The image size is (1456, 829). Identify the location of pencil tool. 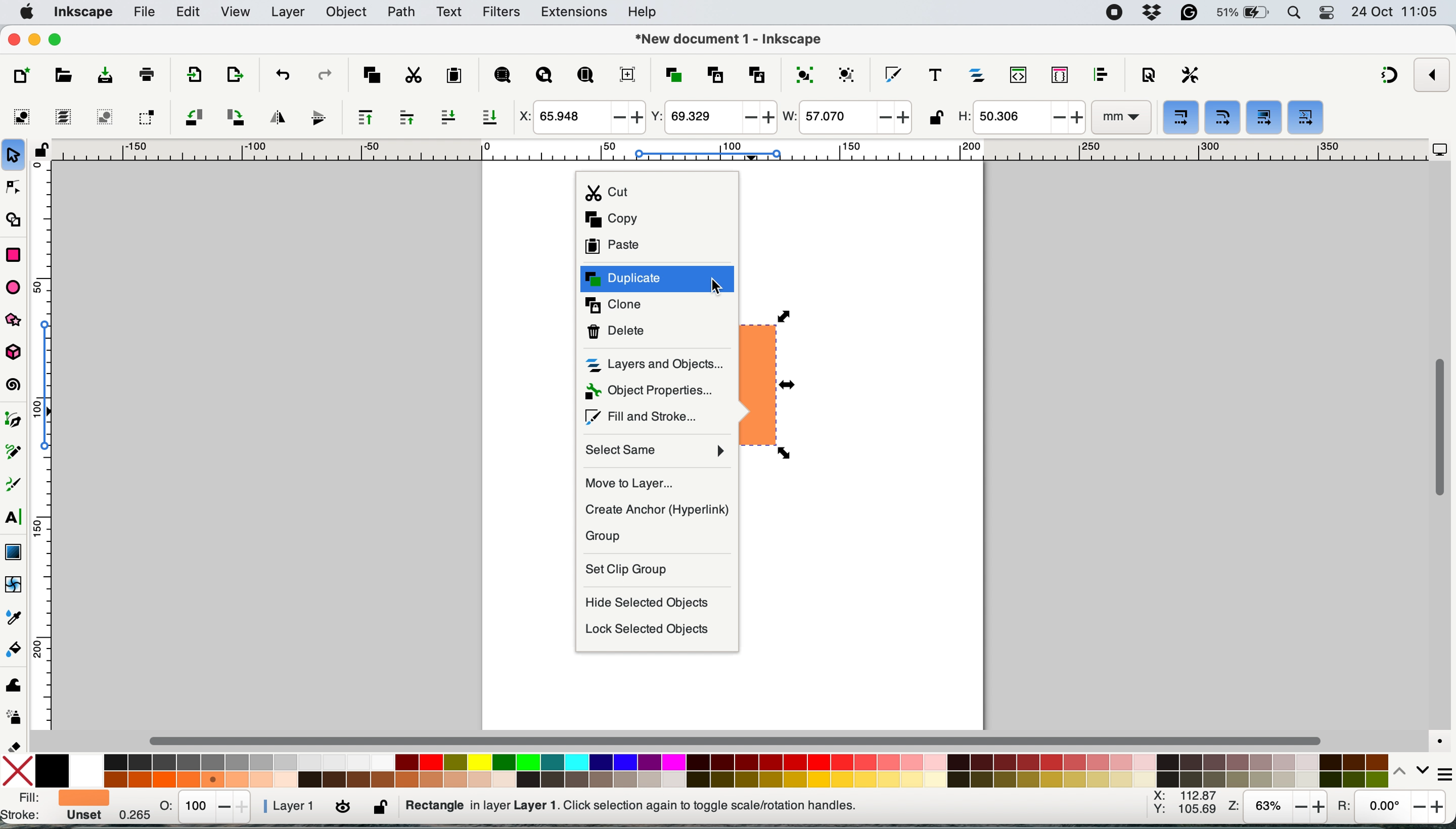
(18, 455).